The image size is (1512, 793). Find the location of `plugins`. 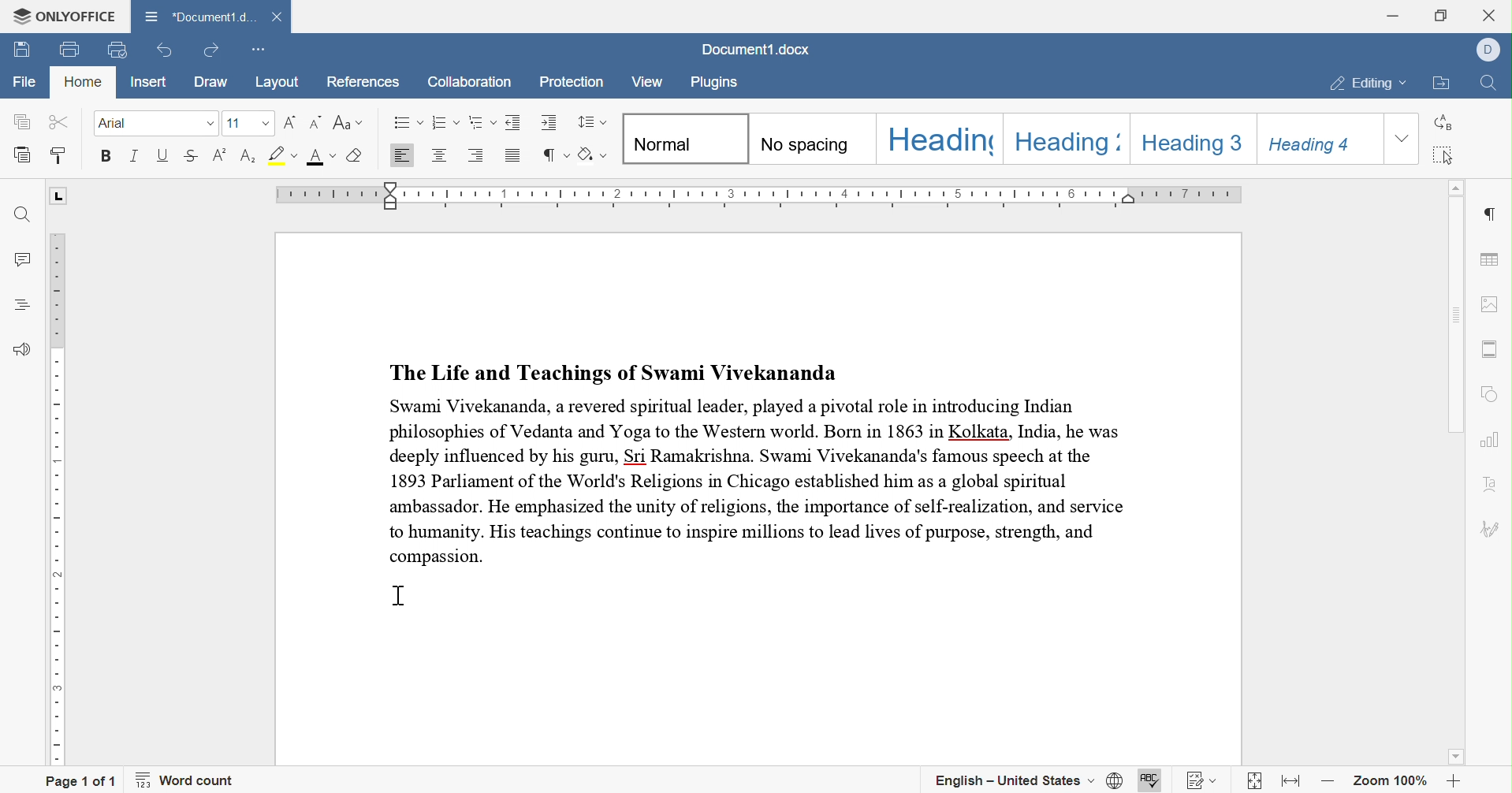

plugins is located at coordinates (713, 83).